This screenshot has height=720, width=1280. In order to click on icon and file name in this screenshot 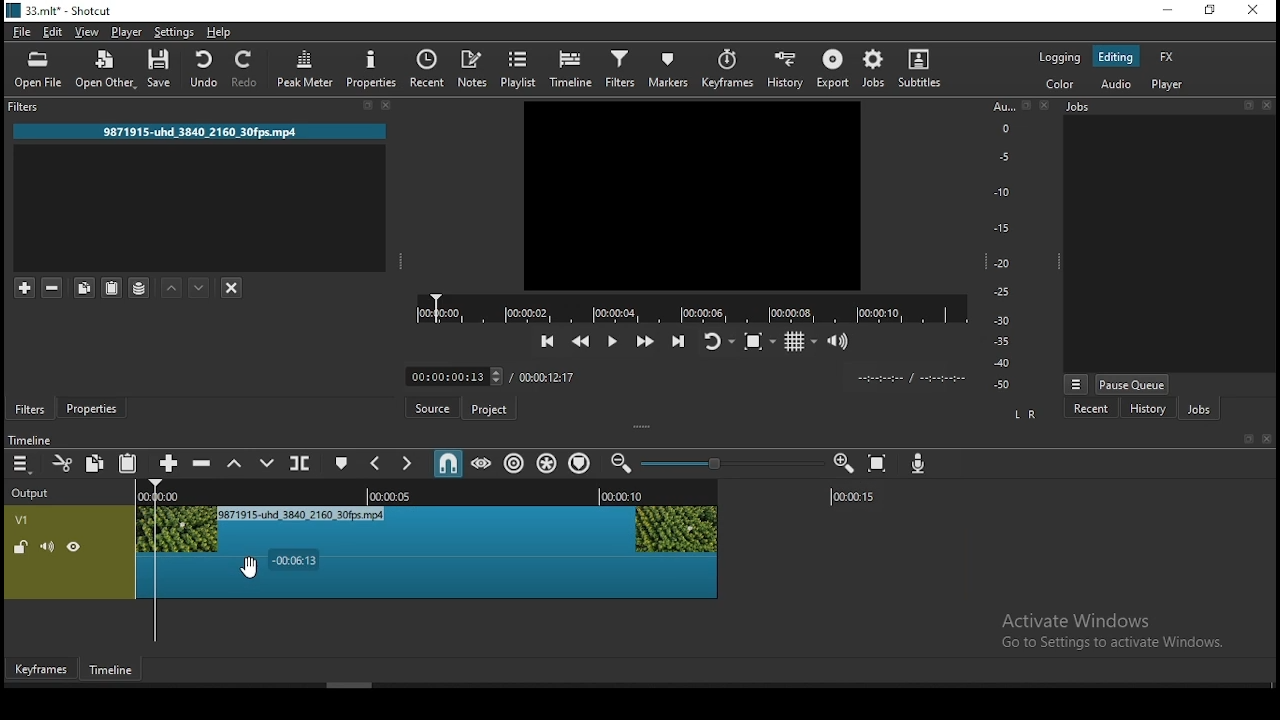, I will do `click(63, 11)`.